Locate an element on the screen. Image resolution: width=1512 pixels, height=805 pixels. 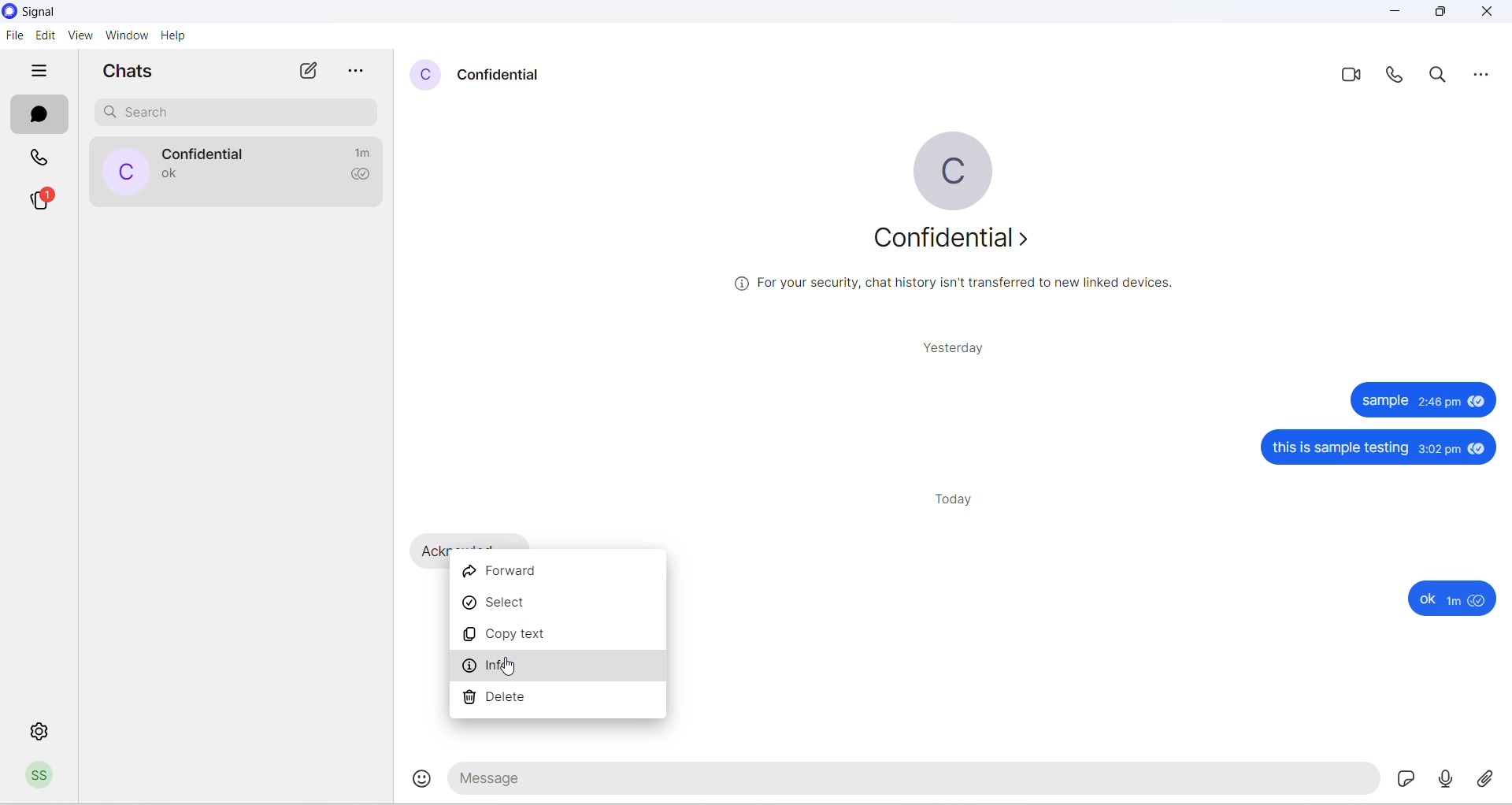
delete is located at coordinates (560, 703).